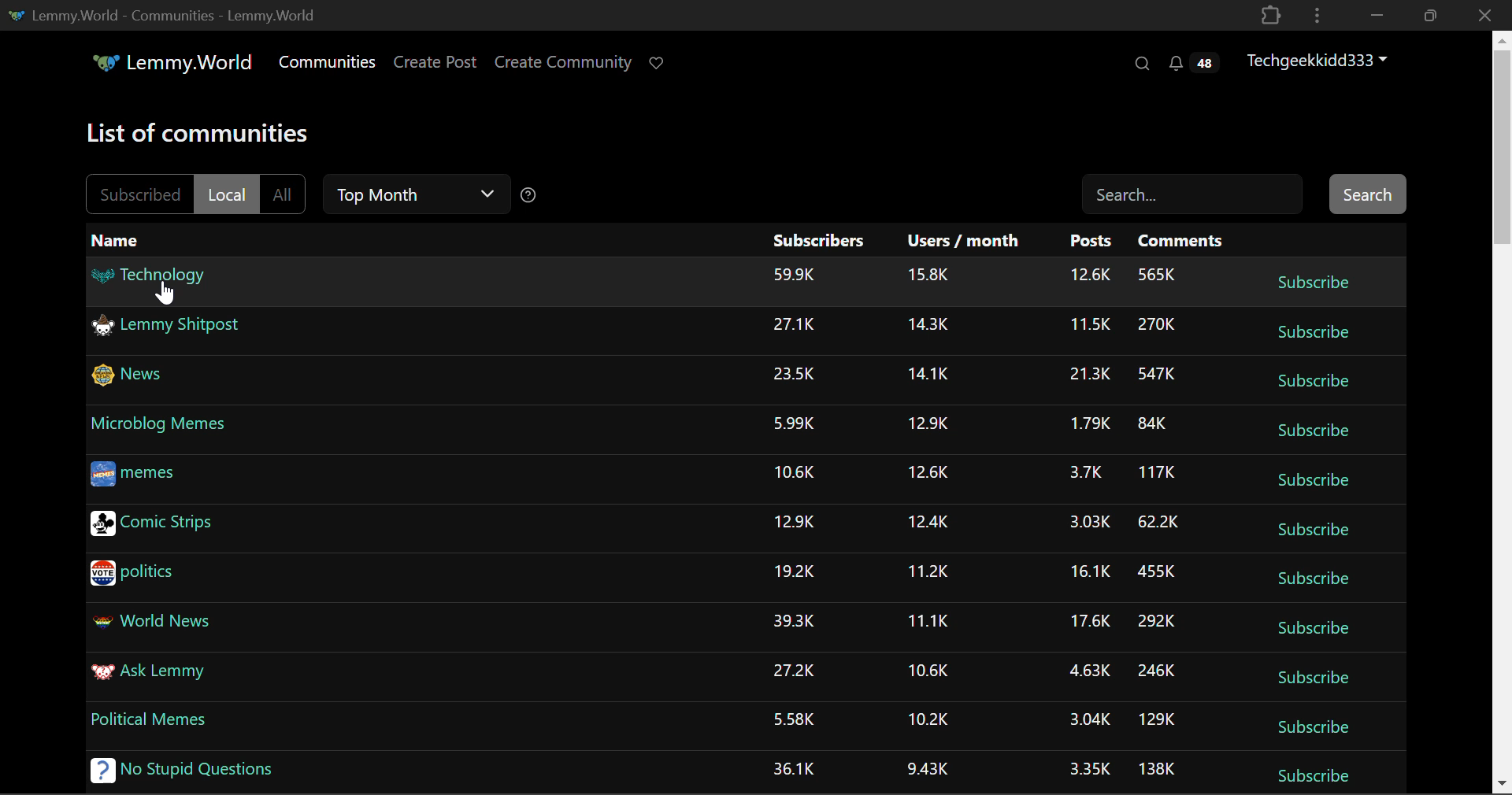  What do you see at coordinates (658, 64) in the screenshot?
I see `Donate to Lemmy` at bounding box center [658, 64].